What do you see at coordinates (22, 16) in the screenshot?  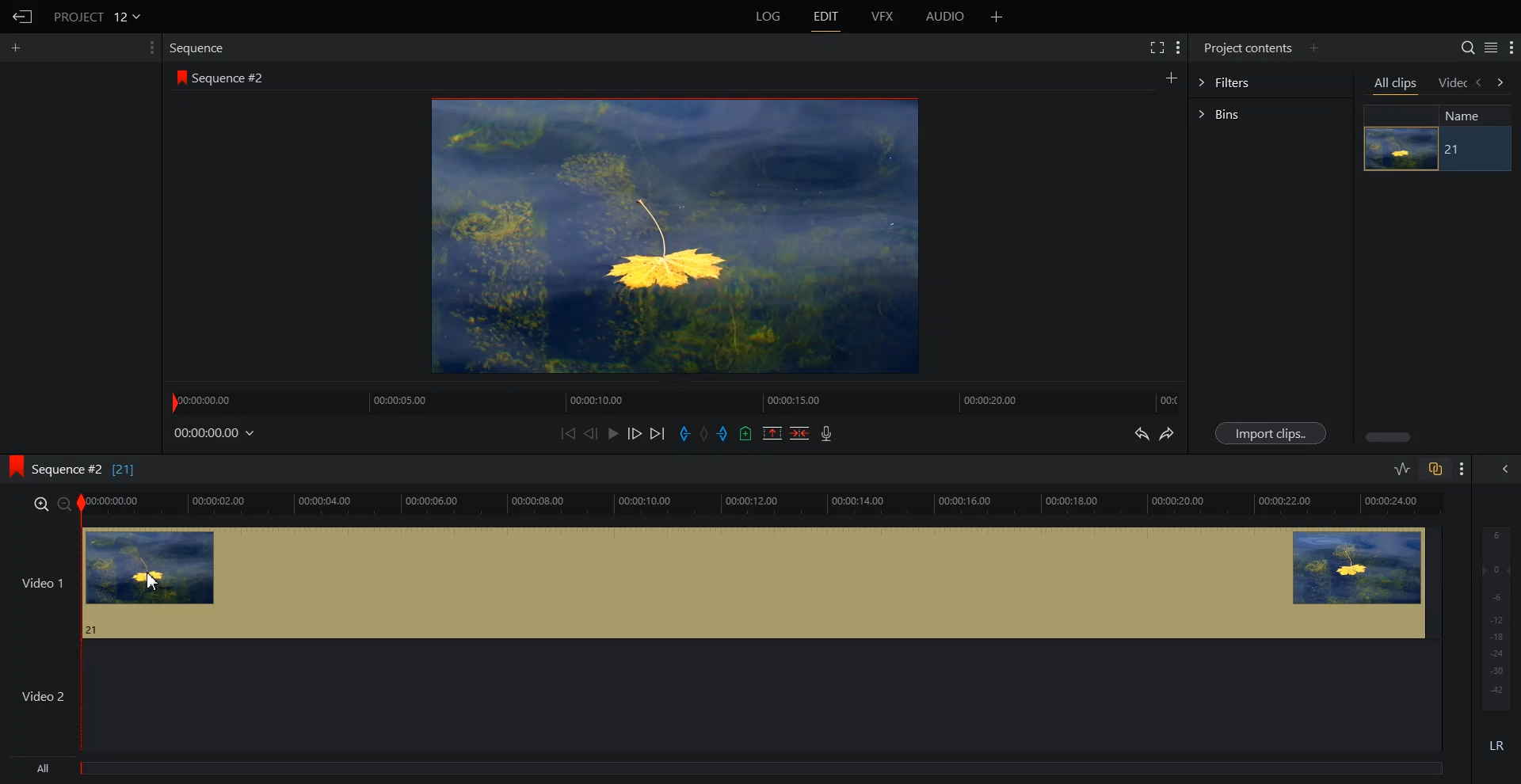 I see `Go Back` at bounding box center [22, 16].